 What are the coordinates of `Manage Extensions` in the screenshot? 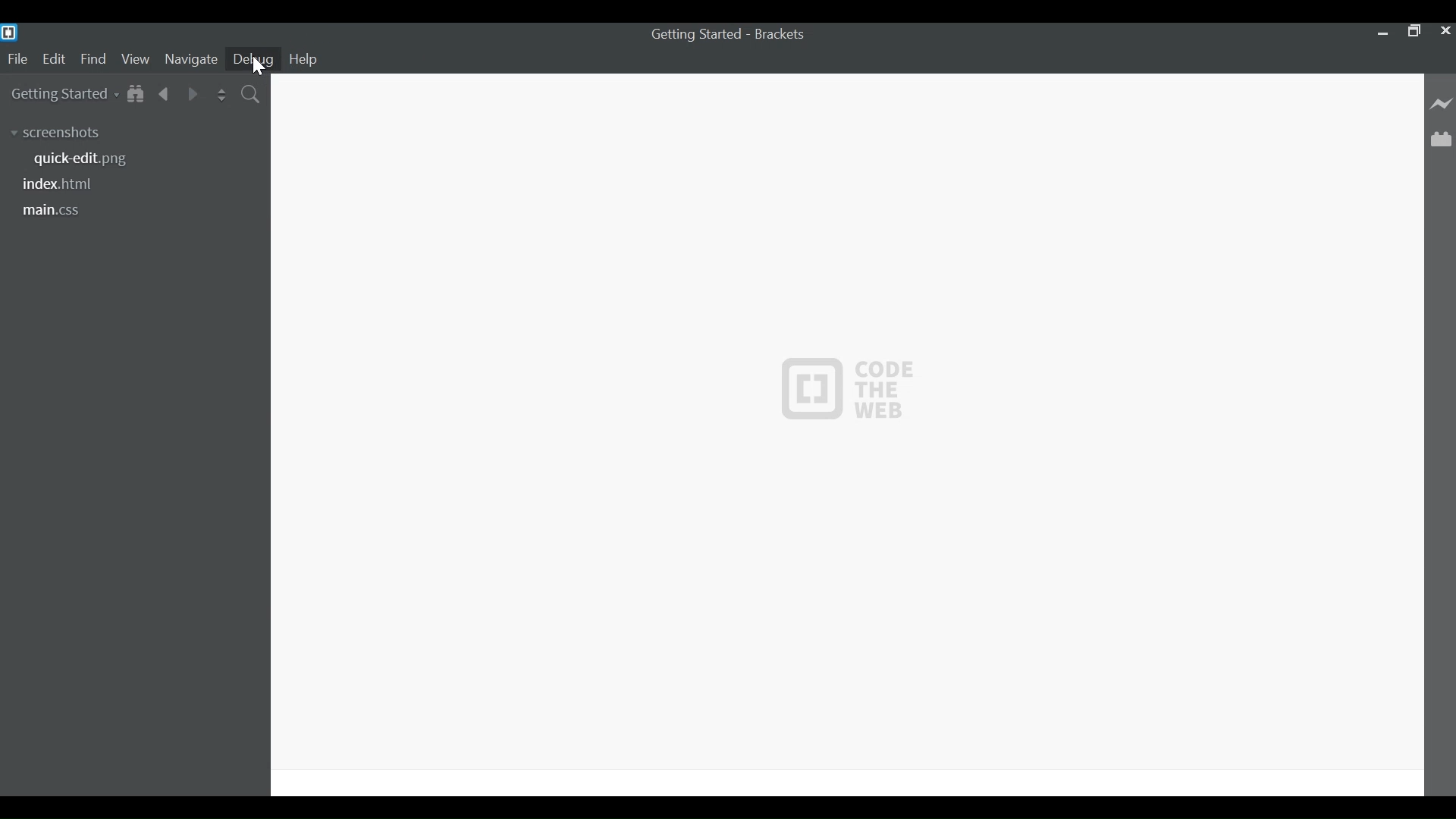 It's located at (1441, 140).